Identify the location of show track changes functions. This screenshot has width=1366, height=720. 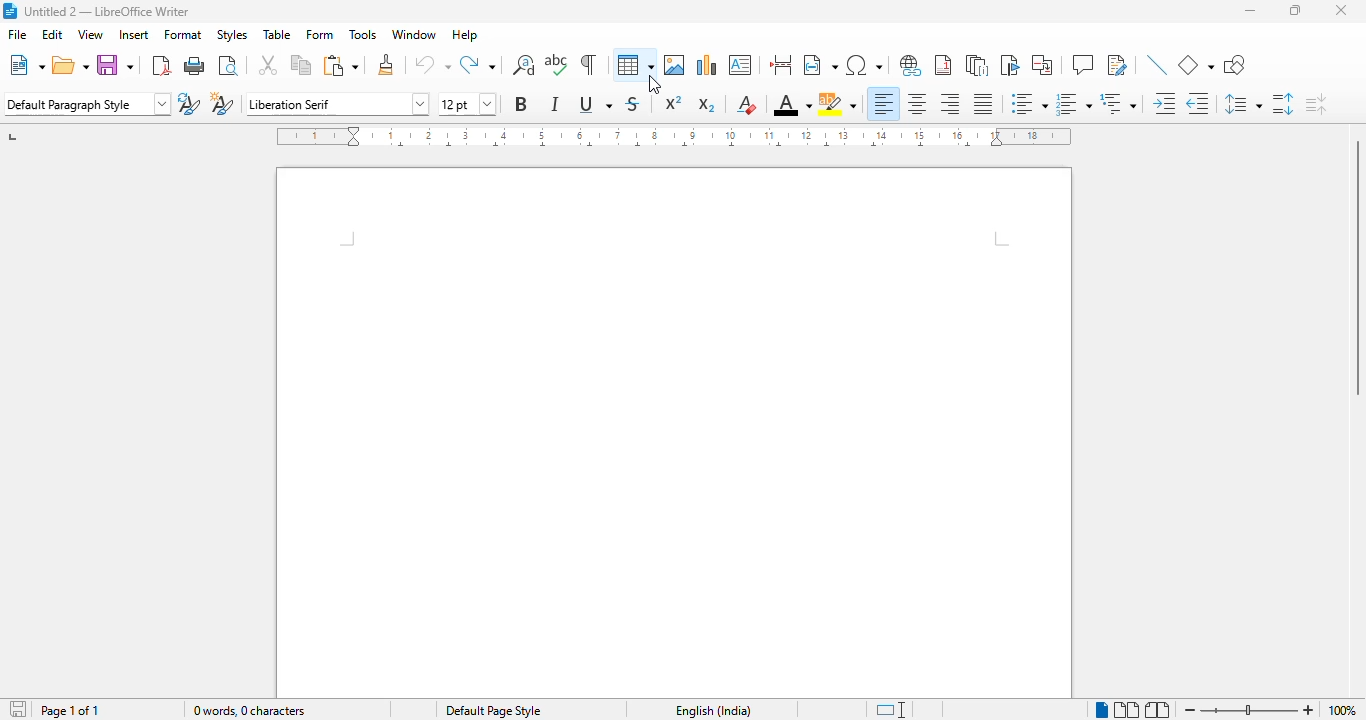
(1118, 65).